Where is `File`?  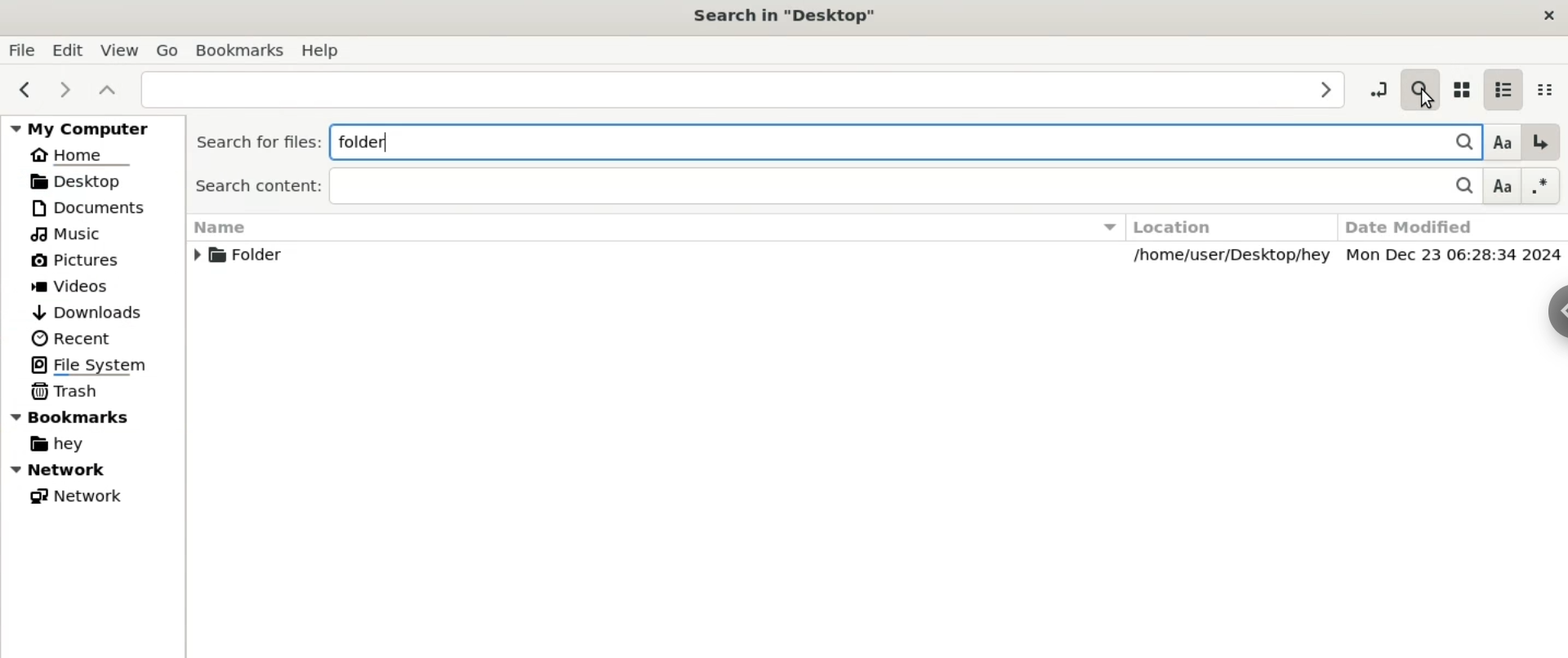 File is located at coordinates (21, 49).